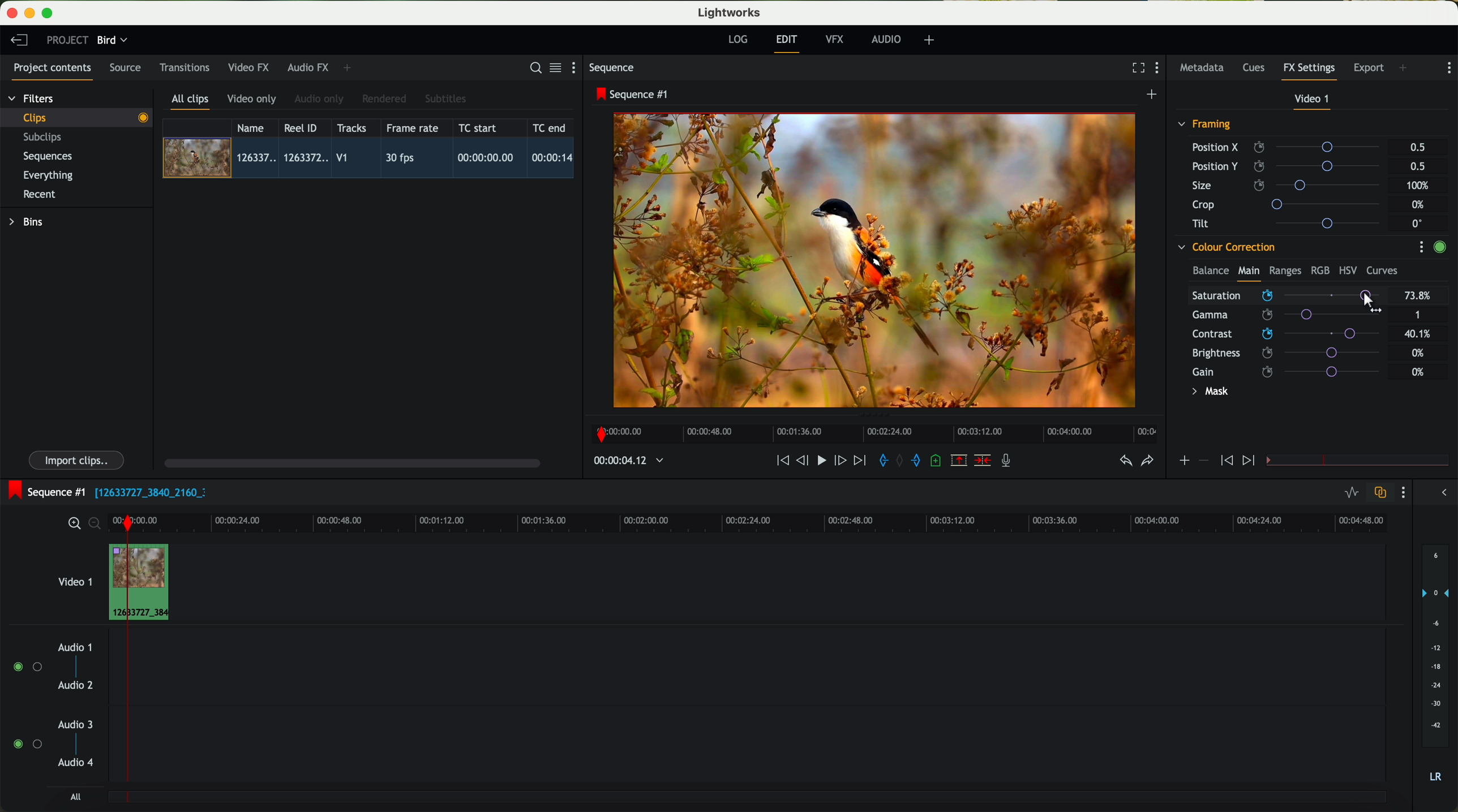 This screenshot has height=812, width=1458. What do you see at coordinates (1208, 393) in the screenshot?
I see `mask` at bounding box center [1208, 393].